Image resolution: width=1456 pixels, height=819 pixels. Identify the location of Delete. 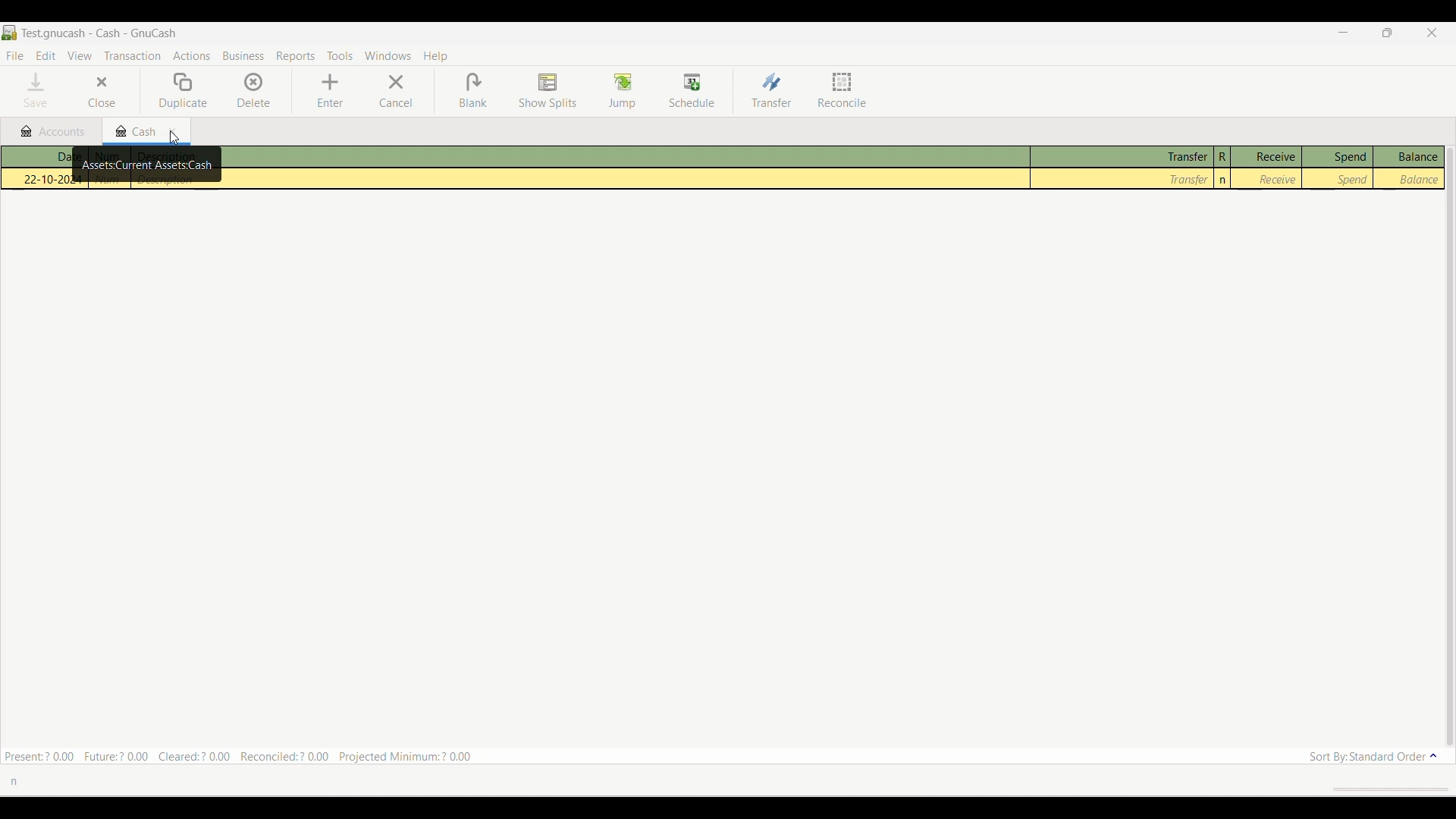
(254, 90).